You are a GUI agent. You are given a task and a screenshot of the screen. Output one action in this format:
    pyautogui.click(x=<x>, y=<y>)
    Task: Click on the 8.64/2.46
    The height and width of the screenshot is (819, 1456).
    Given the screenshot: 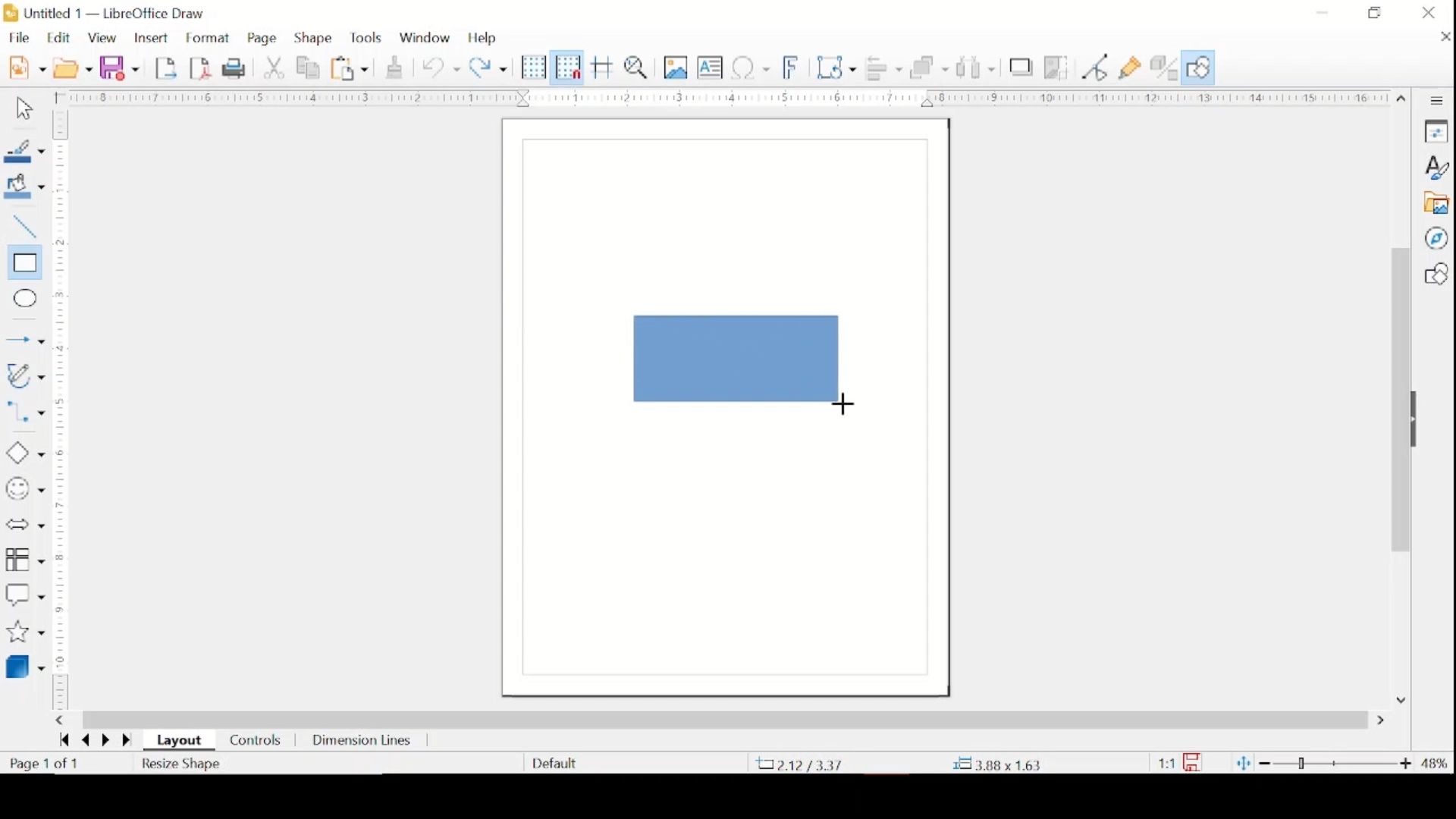 What is the action you would take?
    pyautogui.click(x=803, y=764)
    